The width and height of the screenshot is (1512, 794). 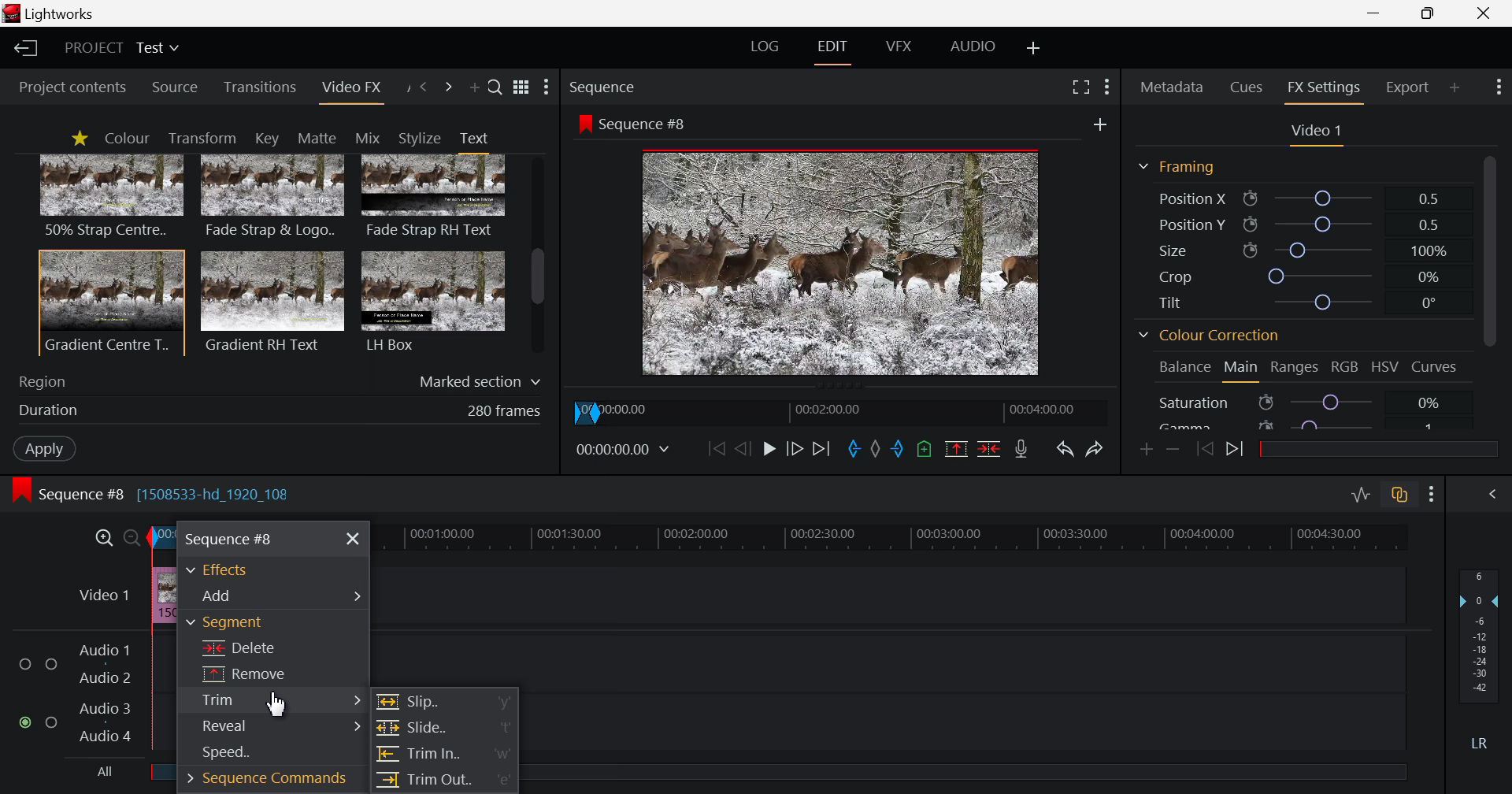 What do you see at coordinates (769, 450) in the screenshot?
I see `Play` at bounding box center [769, 450].